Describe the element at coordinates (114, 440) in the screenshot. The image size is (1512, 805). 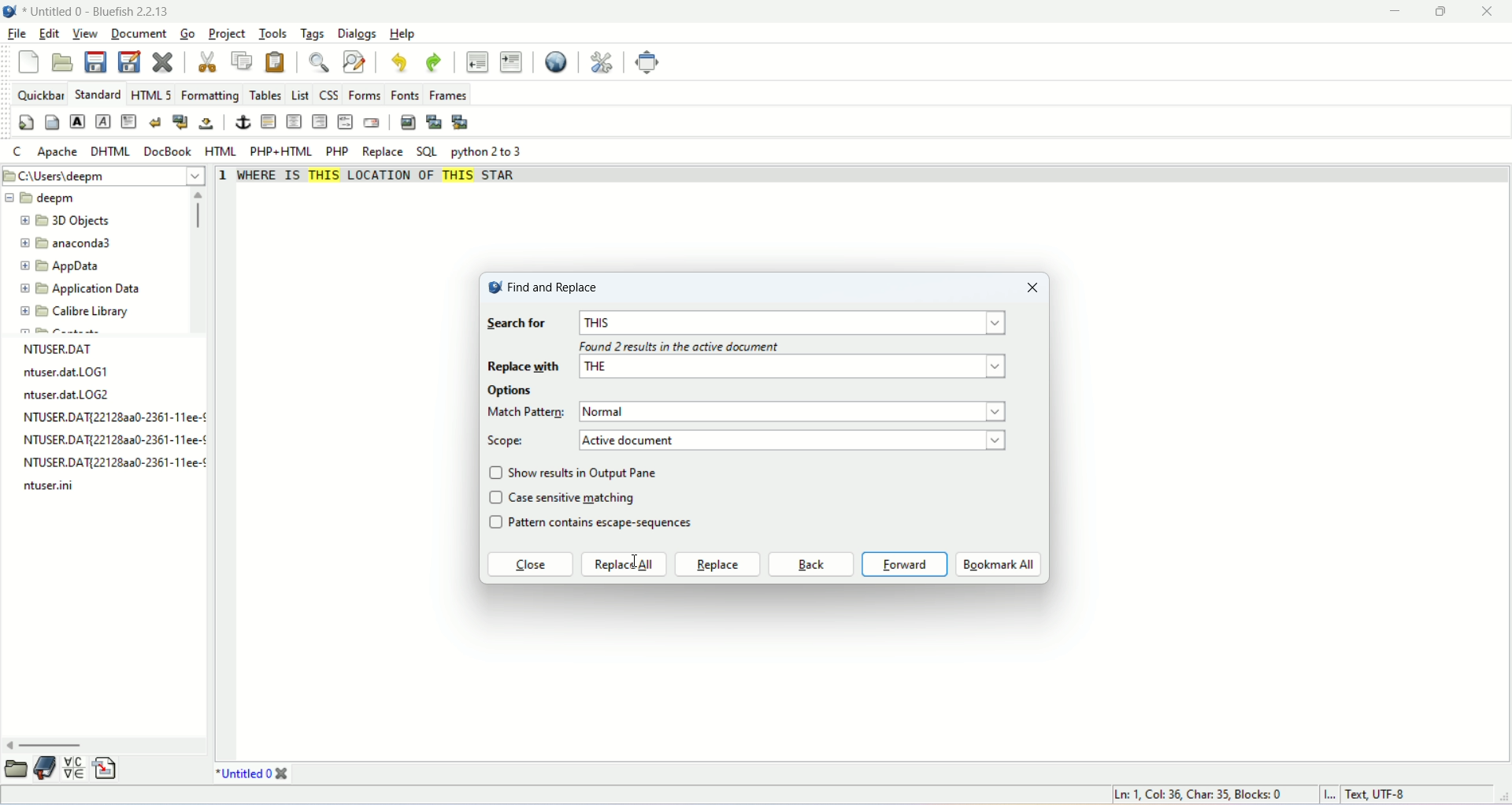
I see `file name` at that location.